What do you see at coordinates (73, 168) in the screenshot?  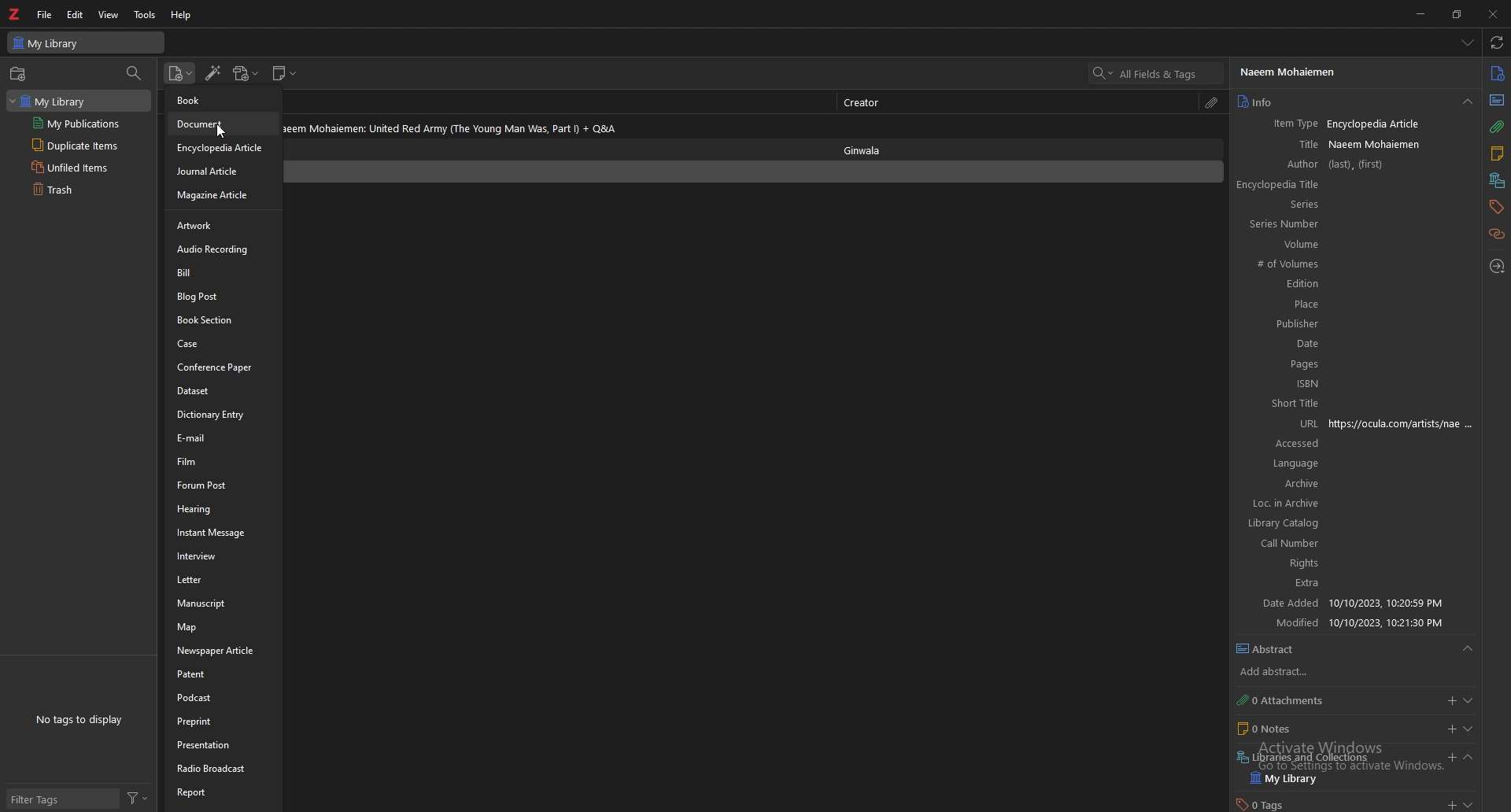 I see `unfiled items` at bounding box center [73, 168].